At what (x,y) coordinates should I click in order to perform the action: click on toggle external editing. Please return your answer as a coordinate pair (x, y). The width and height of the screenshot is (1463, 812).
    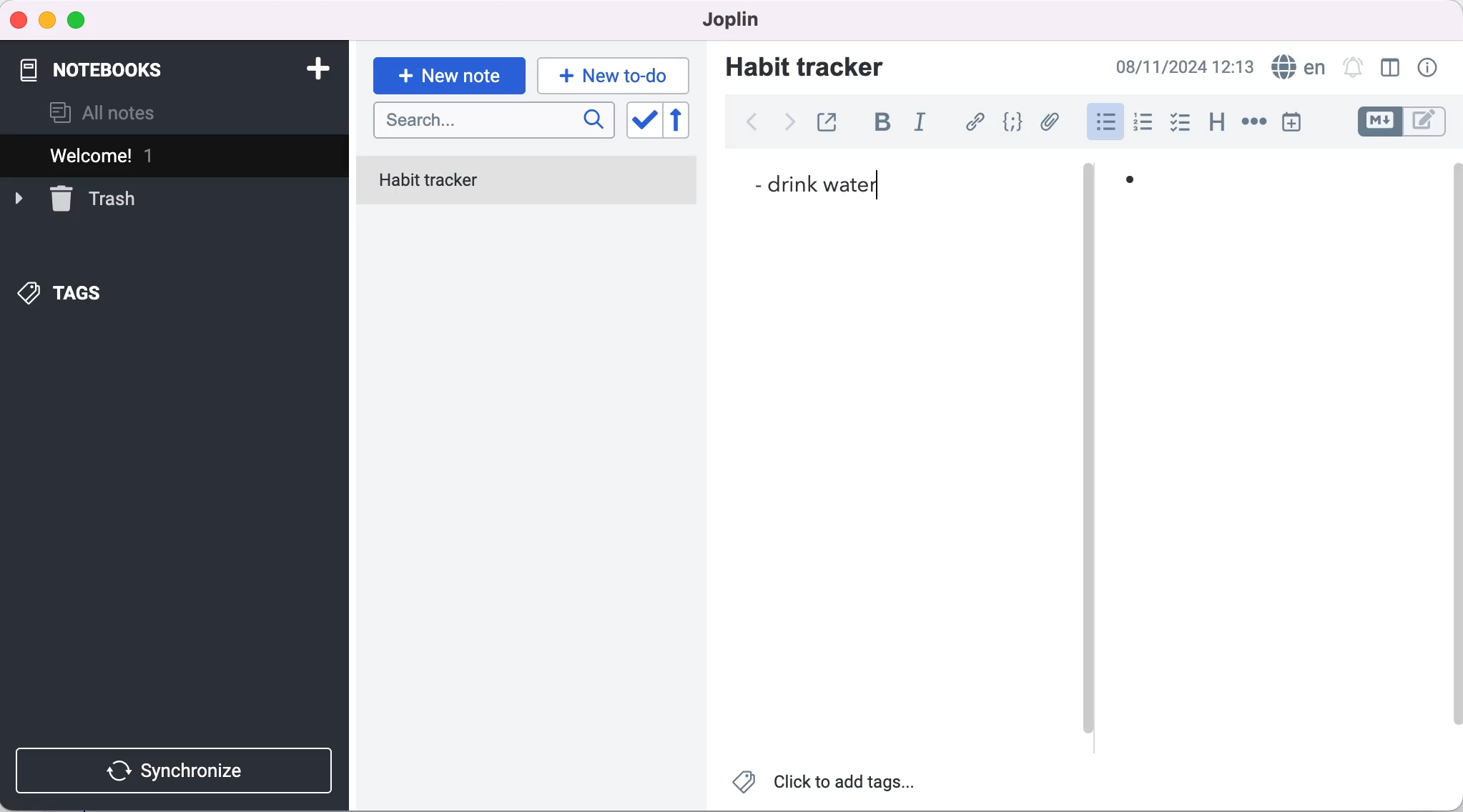
    Looking at the image, I should click on (831, 120).